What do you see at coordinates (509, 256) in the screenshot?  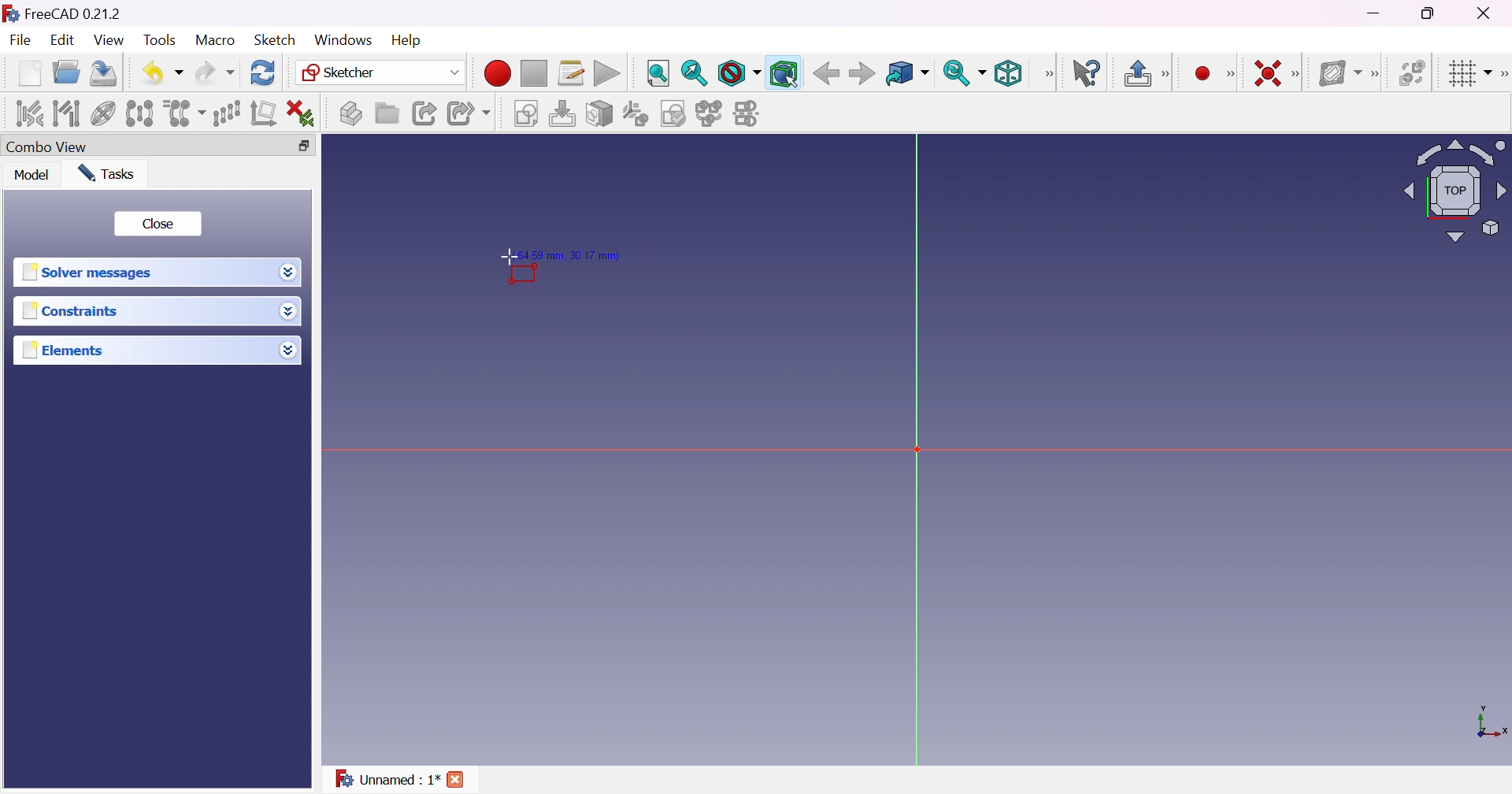 I see `cursor` at bounding box center [509, 256].